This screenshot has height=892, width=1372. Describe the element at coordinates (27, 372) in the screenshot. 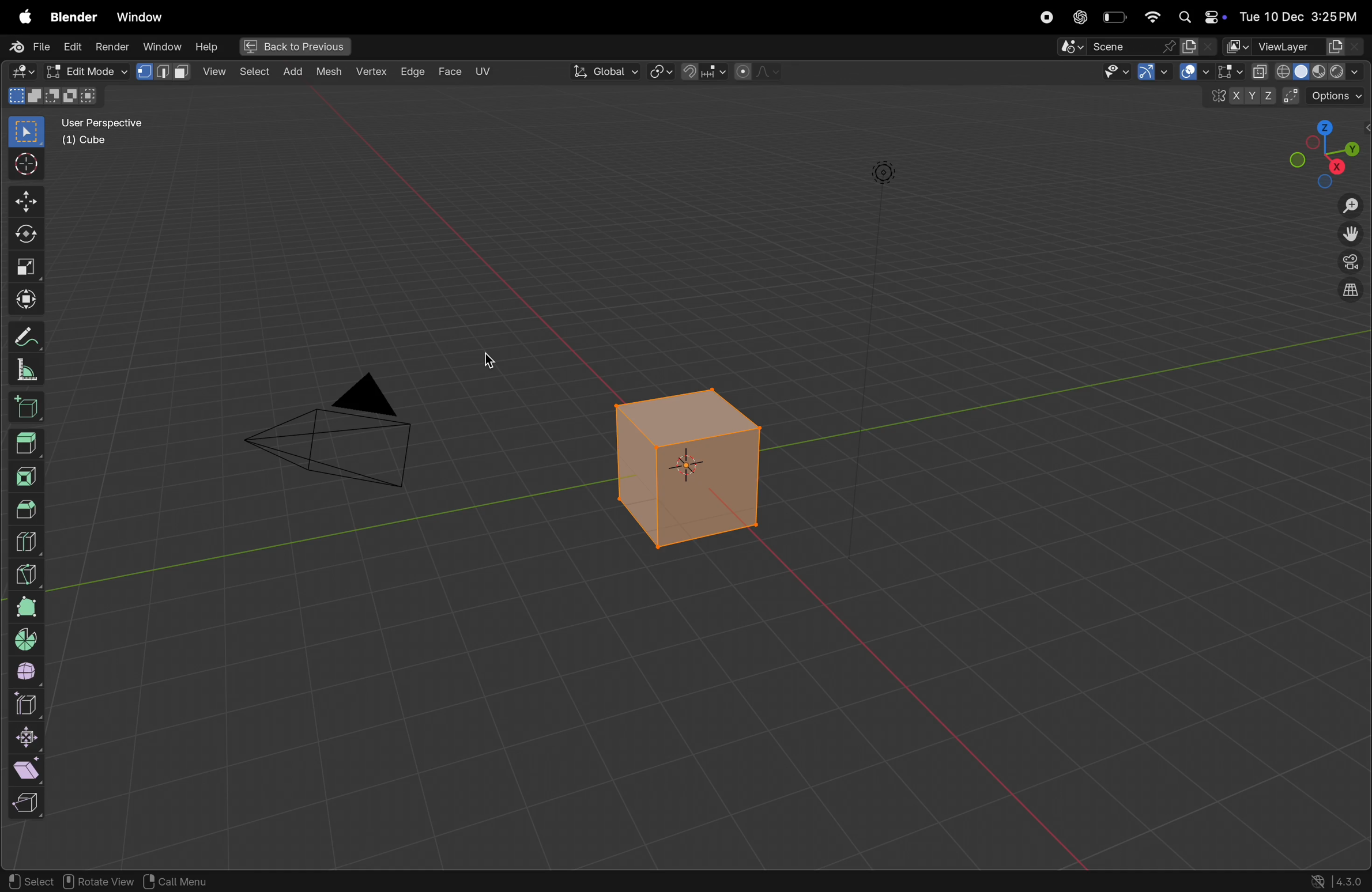

I see `measure` at that location.